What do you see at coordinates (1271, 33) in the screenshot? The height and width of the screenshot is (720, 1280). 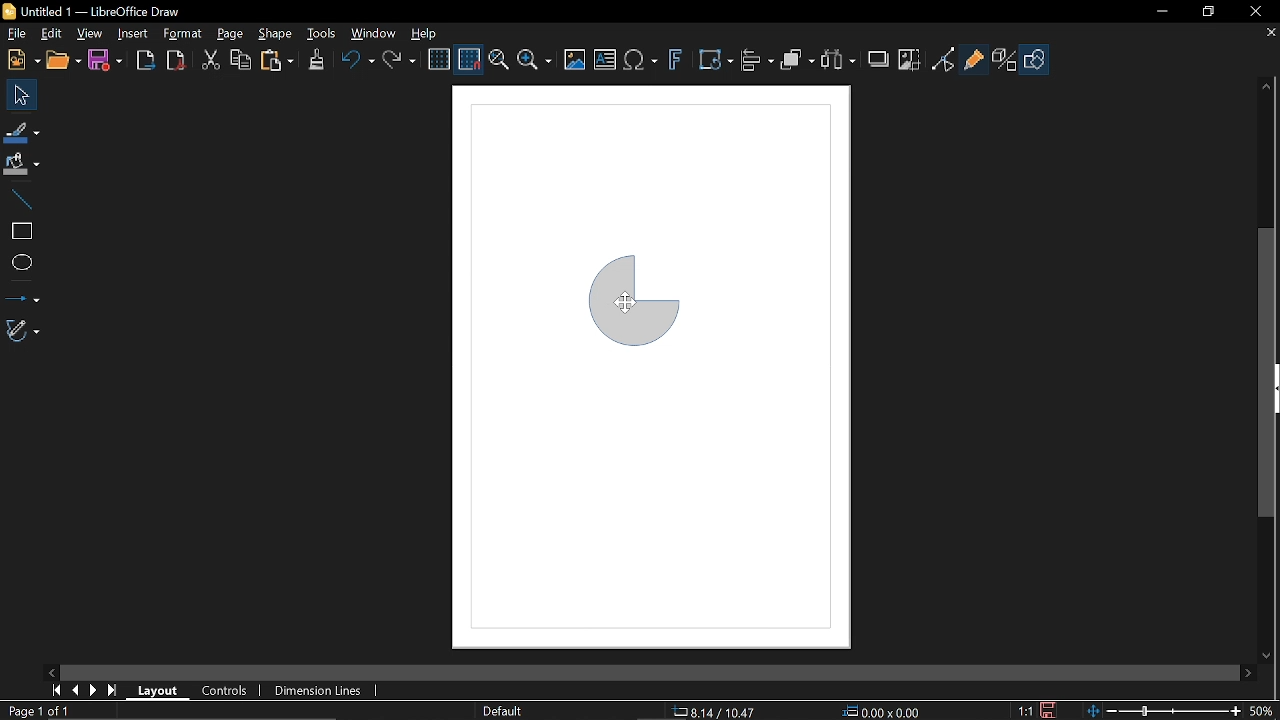 I see `Close tab` at bounding box center [1271, 33].